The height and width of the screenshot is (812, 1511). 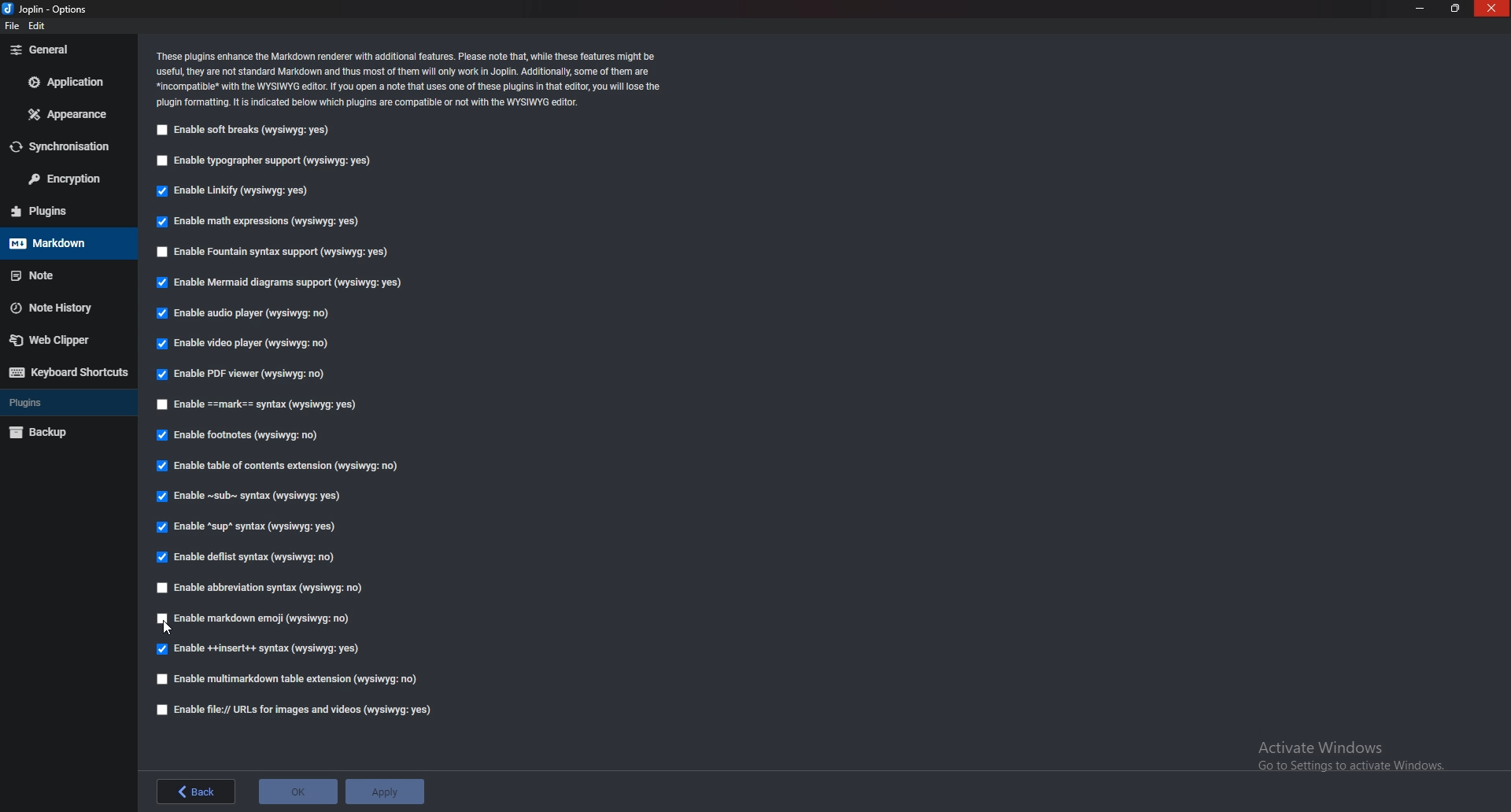 What do you see at coordinates (262, 589) in the screenshot?
I see `enable abbreviation syntax` at bounding box center [262, 589].